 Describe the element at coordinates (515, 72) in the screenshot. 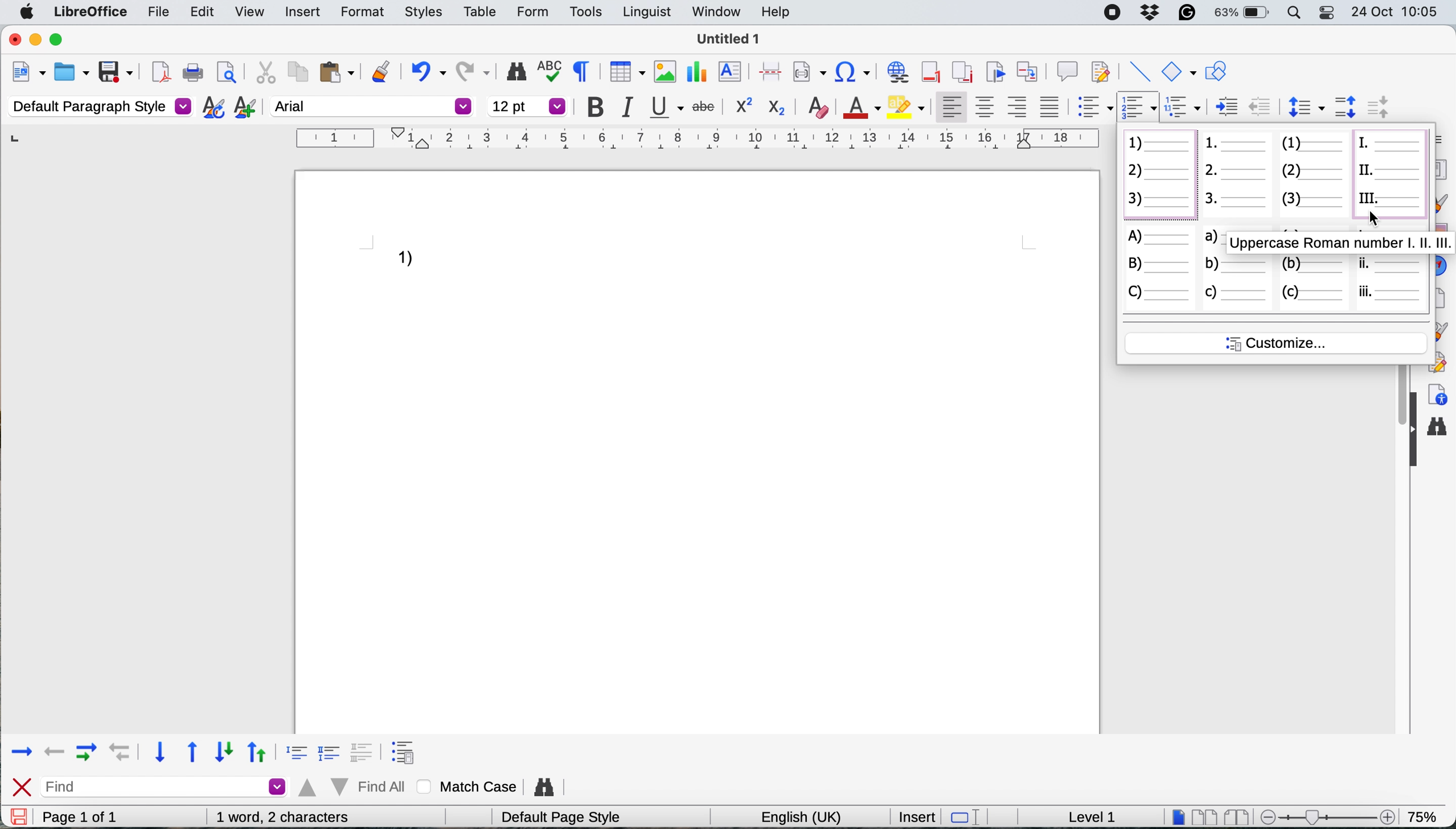

I see `find and replace` at that location.